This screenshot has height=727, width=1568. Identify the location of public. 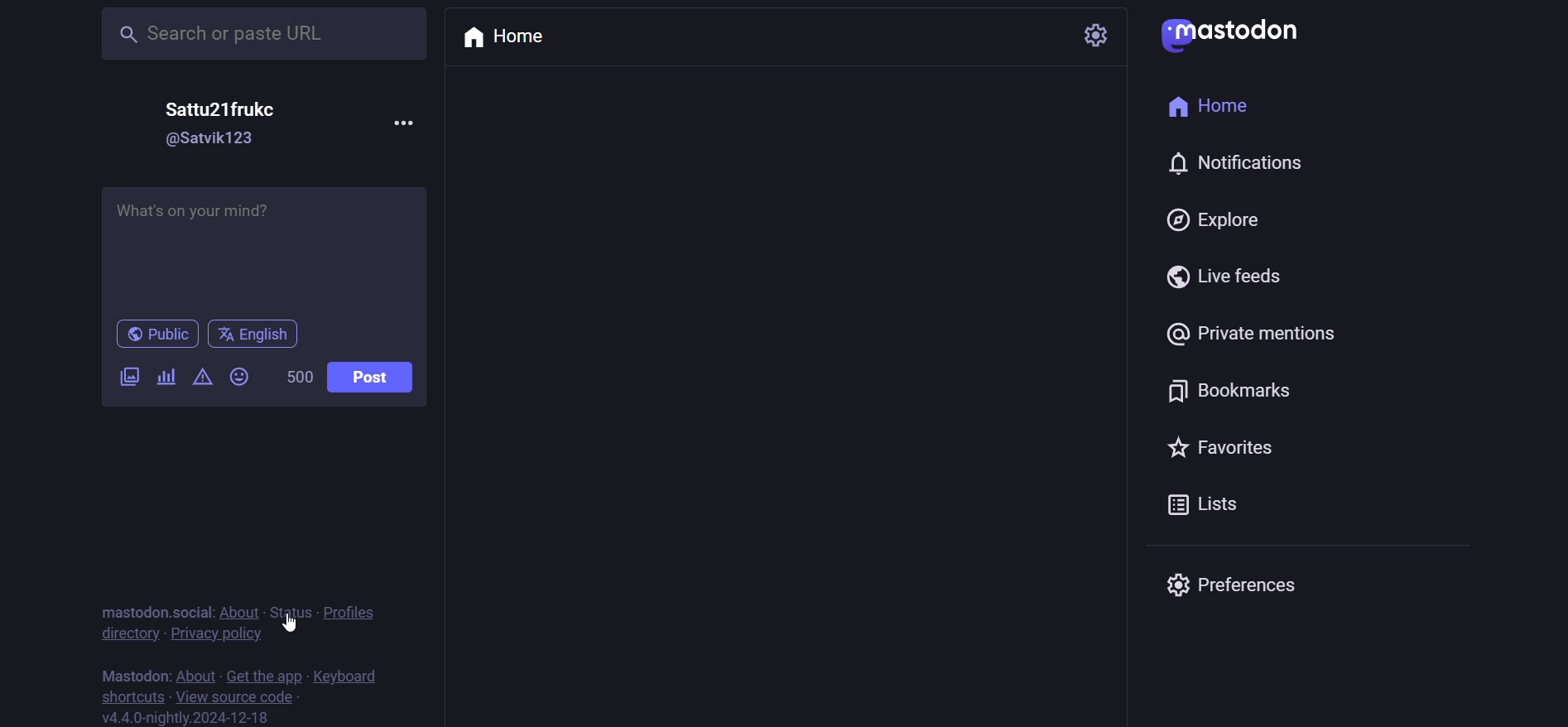
(156, 334).